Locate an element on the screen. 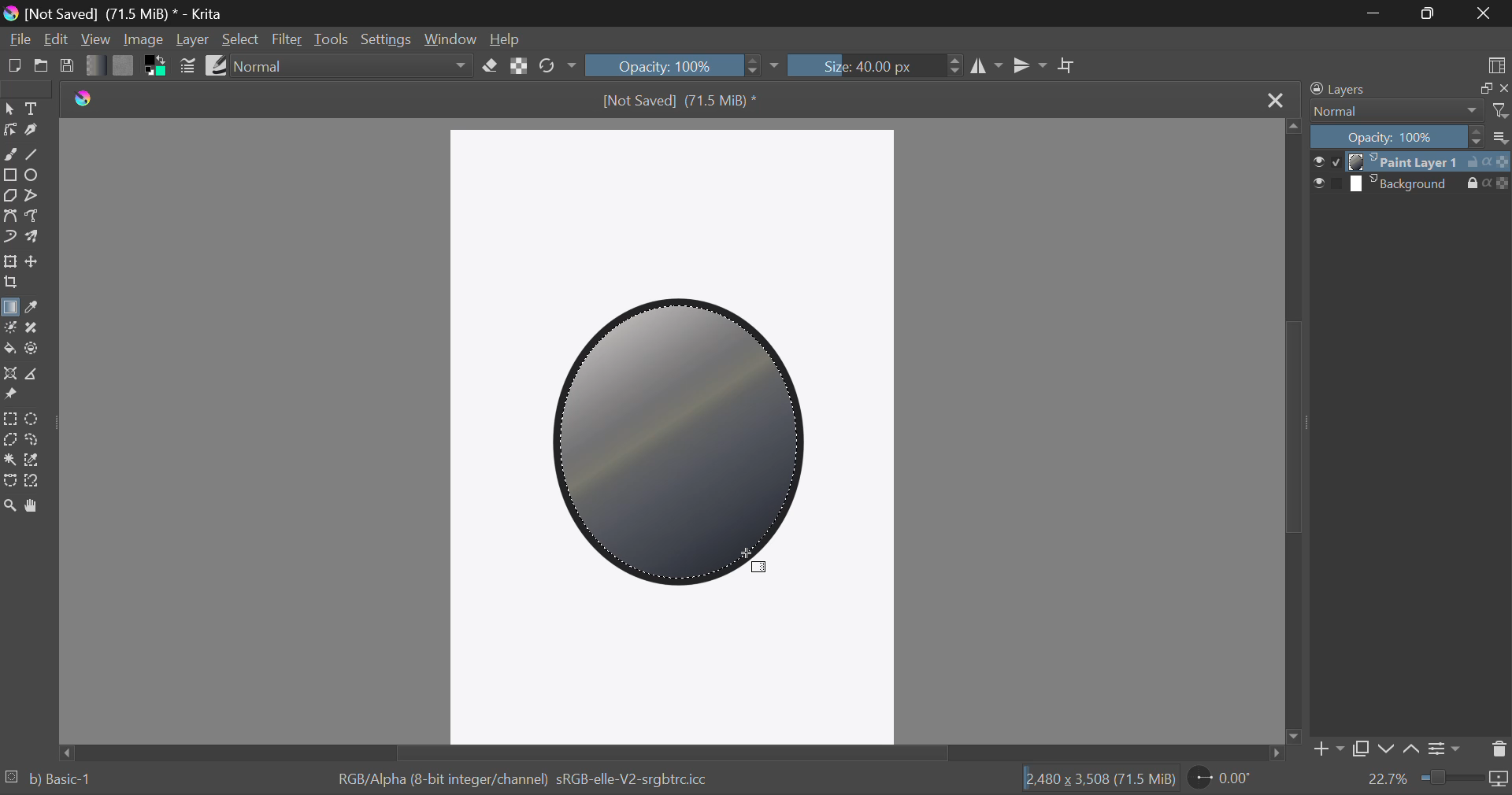 The width and height of the screenshot is (1512, 795). New is located at coordinates (13, 66).